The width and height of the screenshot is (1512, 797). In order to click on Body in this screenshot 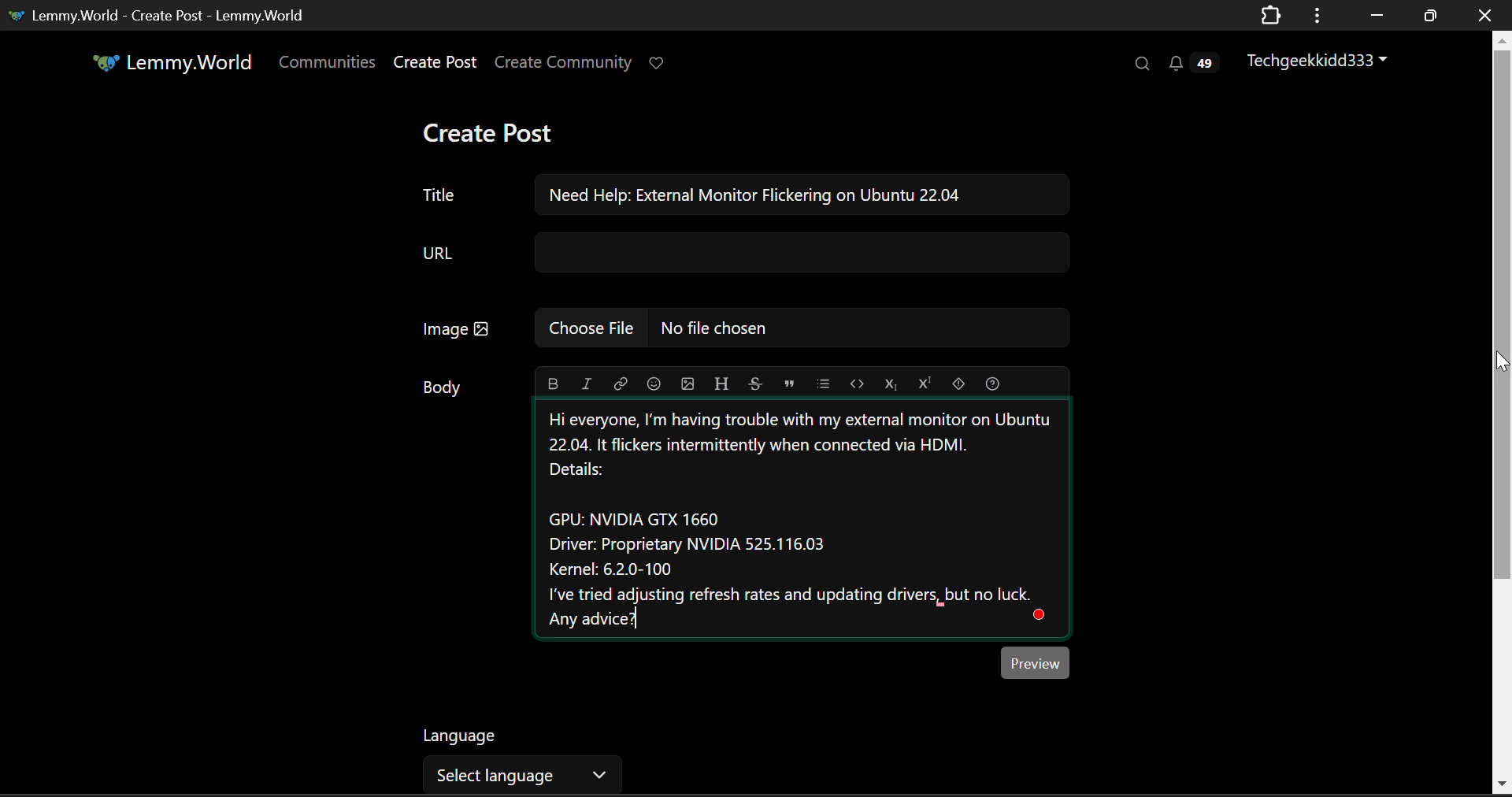, I will do `click(443, 388)`.